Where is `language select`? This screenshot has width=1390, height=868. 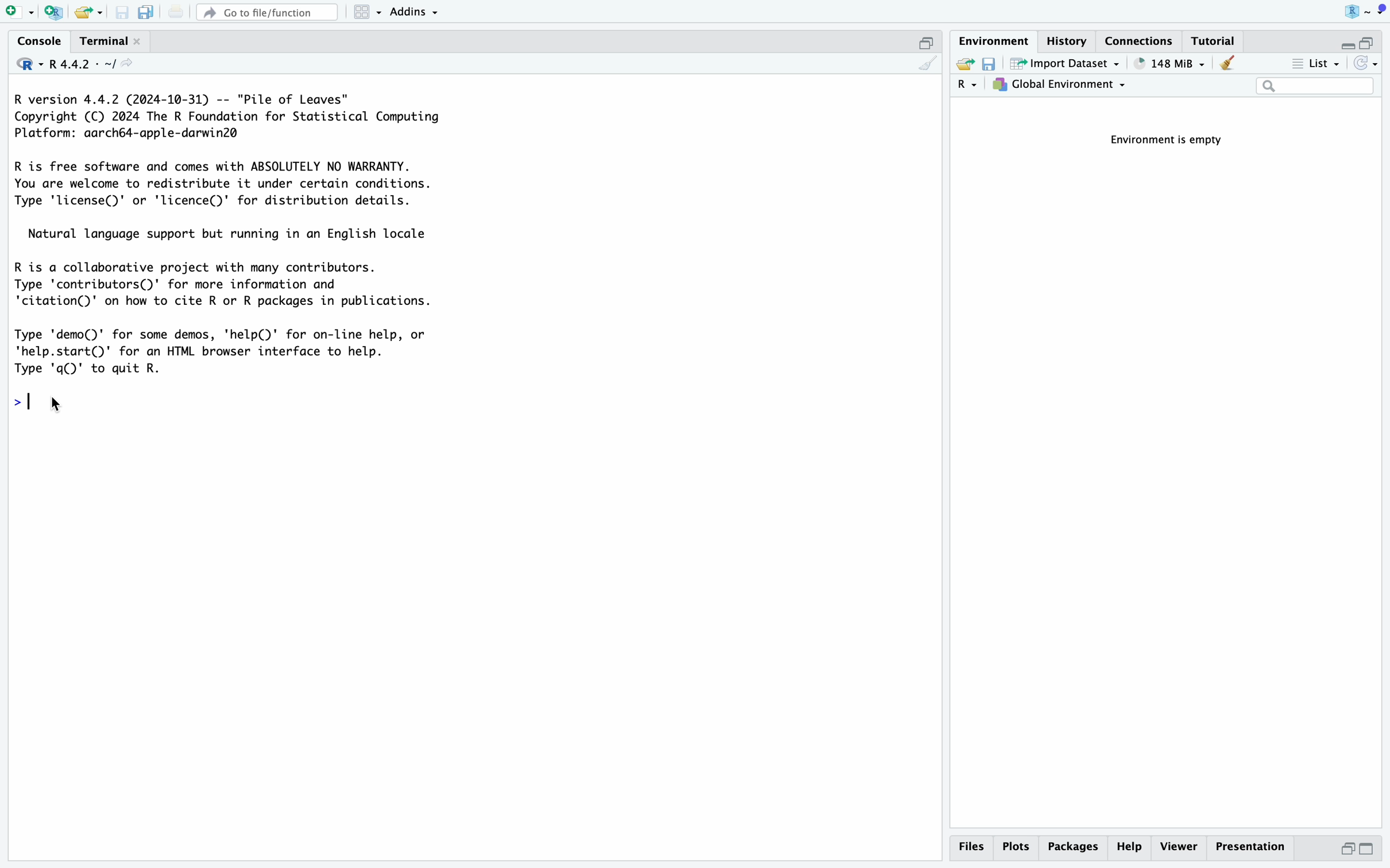 language select is located at coordinates (968, 86).